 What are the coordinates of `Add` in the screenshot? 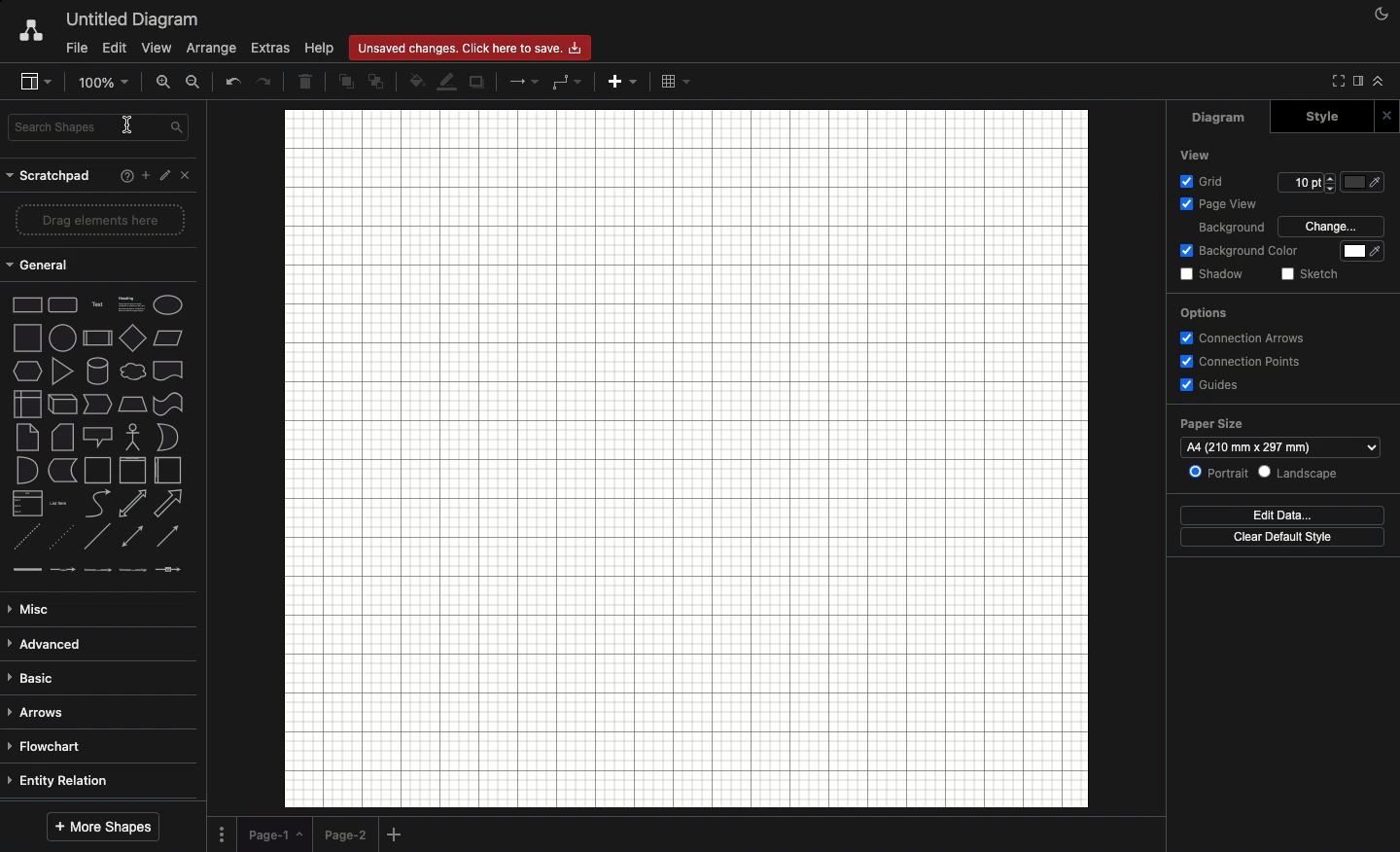 It's located at (144, 177).